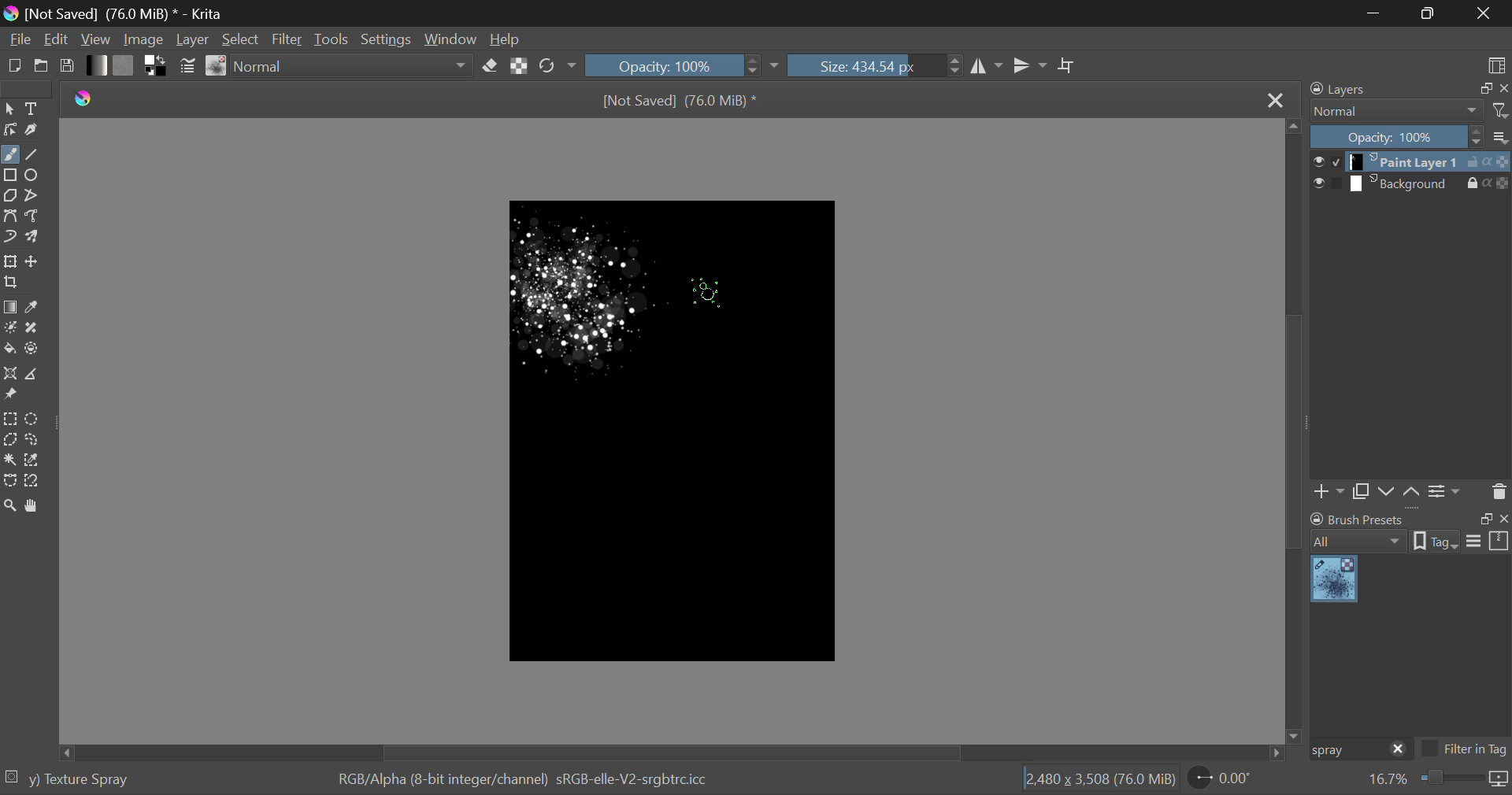 The image size is (1512, 795). Describe the element at coordinates (1483, 519) in the screenshot. I see `restore` at that location.